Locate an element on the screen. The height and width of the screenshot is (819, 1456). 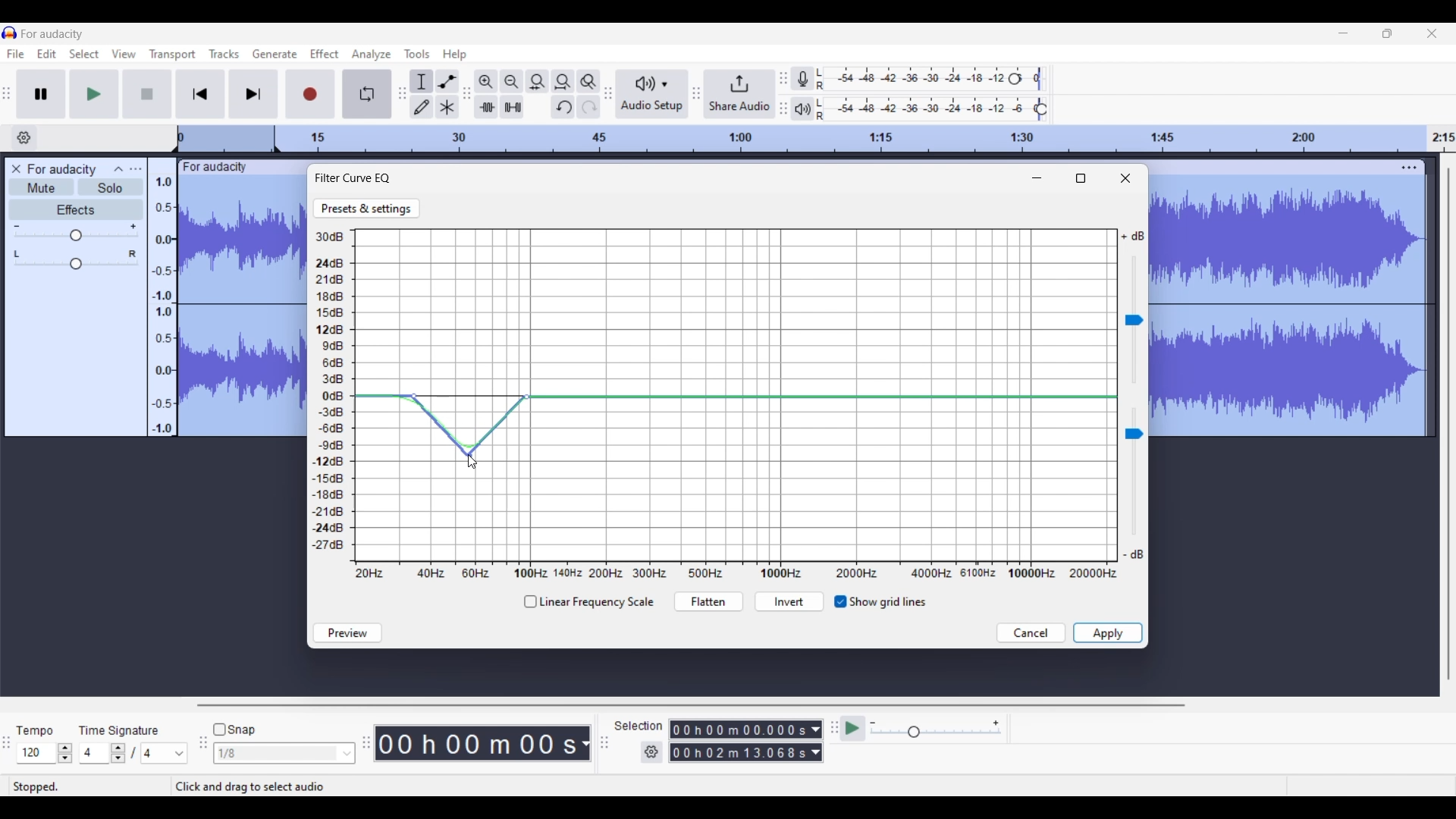
Increase/Decrease tempo is located at coordinates (65, 753).